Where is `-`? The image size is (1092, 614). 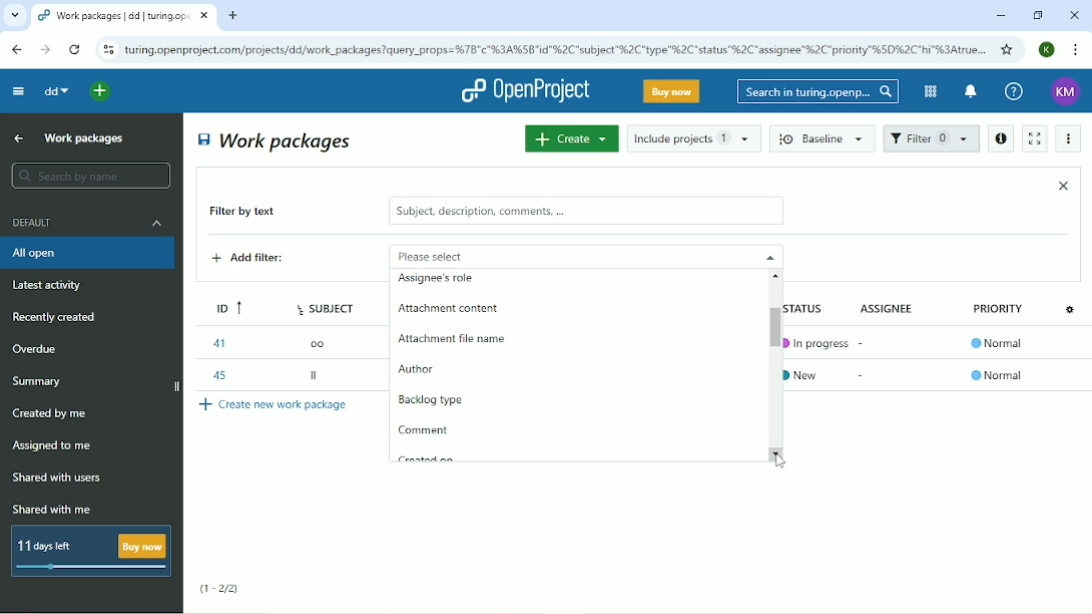 - is located at coordinates (863, 375).